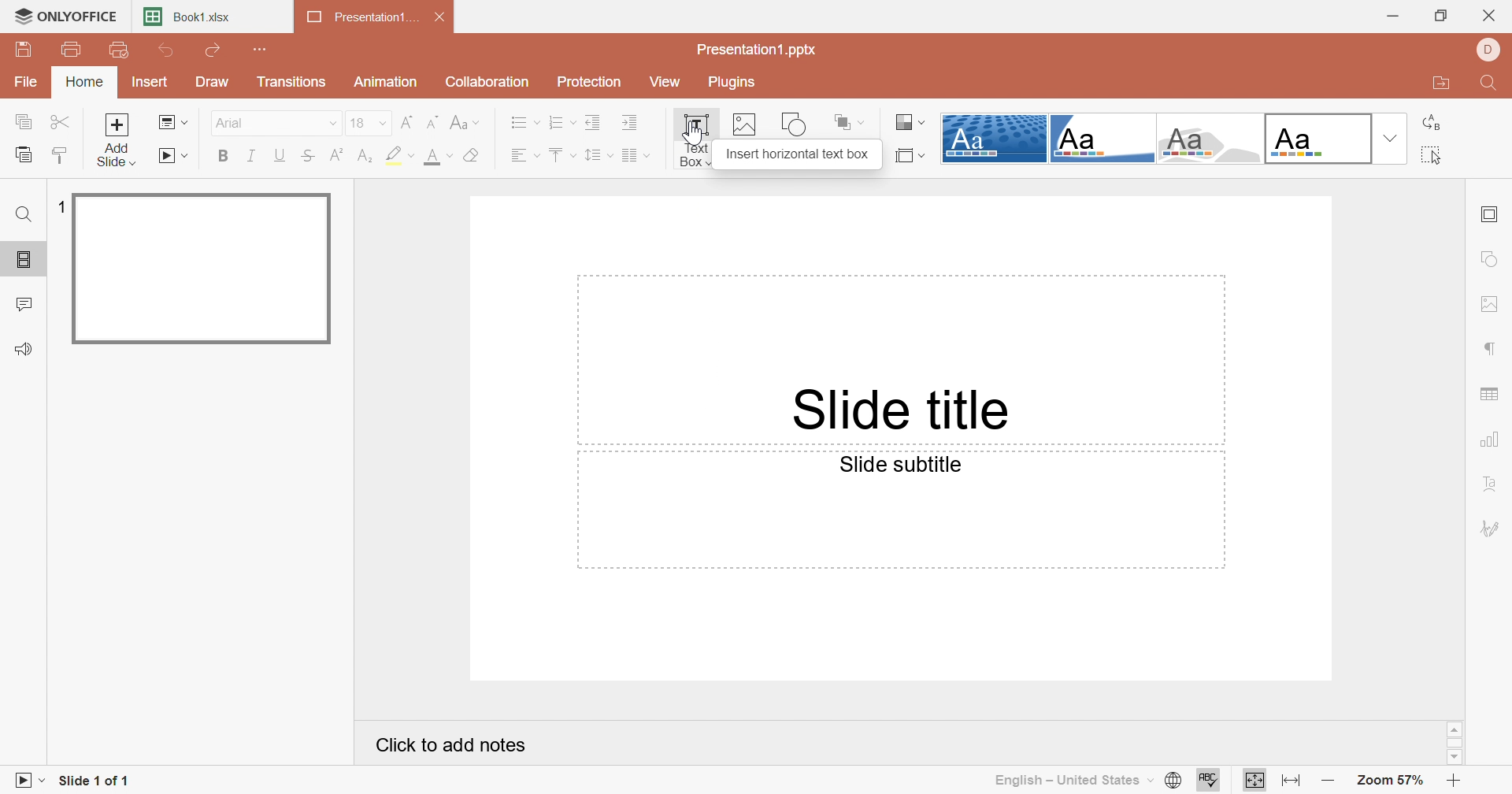  Describe the element at coordinates (215, 82) in the screenshot. I see `Draw` at that location.